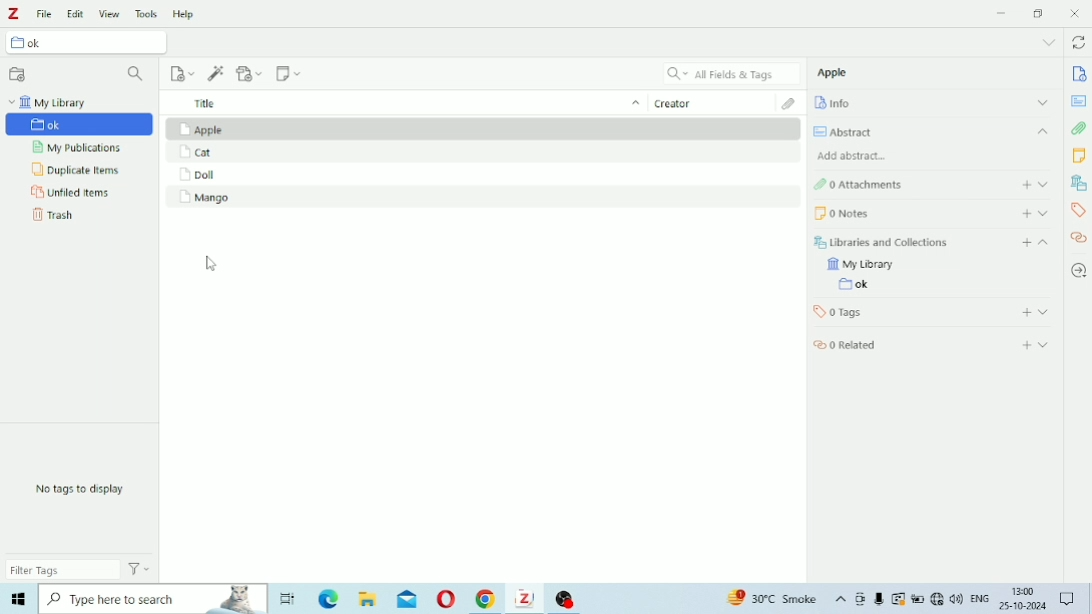 This screenshot has width=1092, height=614. Describe the element at coordinates (183, 72) in the screenshot. I see `New Item` at that location.